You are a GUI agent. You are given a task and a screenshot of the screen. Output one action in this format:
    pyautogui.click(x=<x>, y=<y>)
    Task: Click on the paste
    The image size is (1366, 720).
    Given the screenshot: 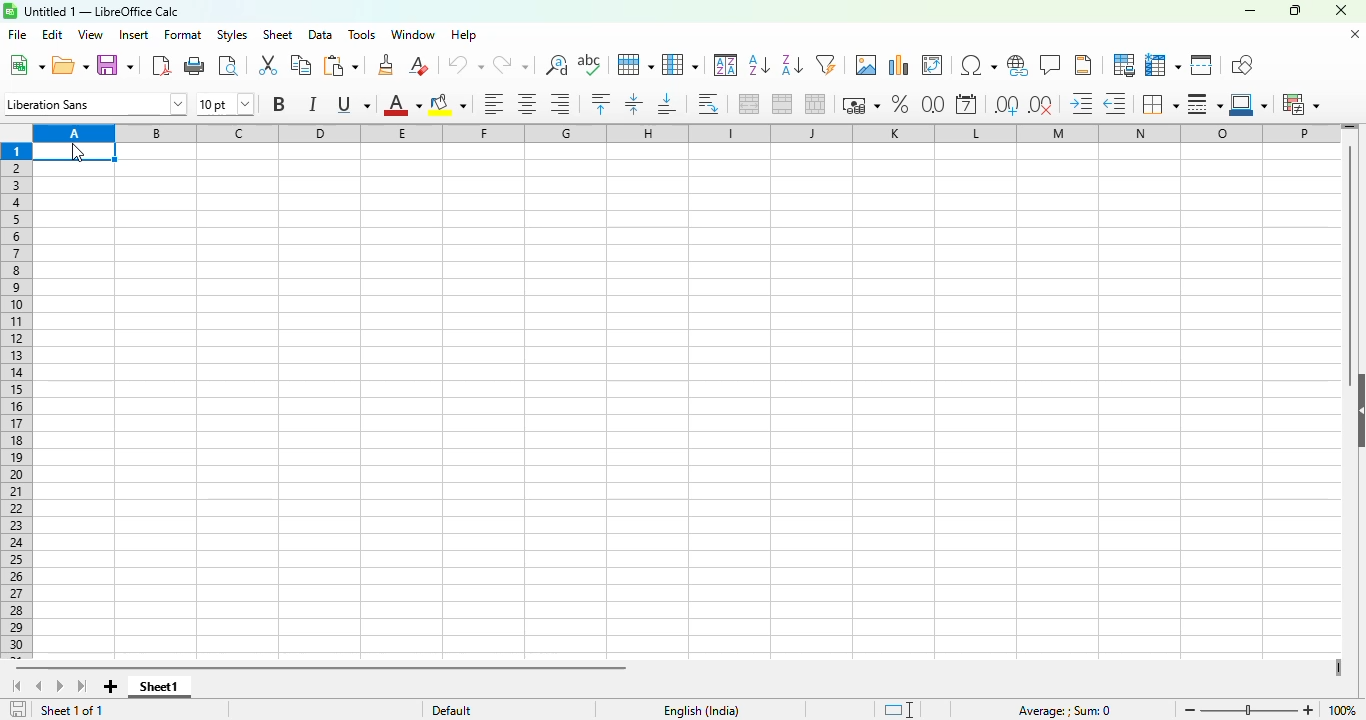 What is the action you would take?
    pyautogui.click(x=340, y=66)
    